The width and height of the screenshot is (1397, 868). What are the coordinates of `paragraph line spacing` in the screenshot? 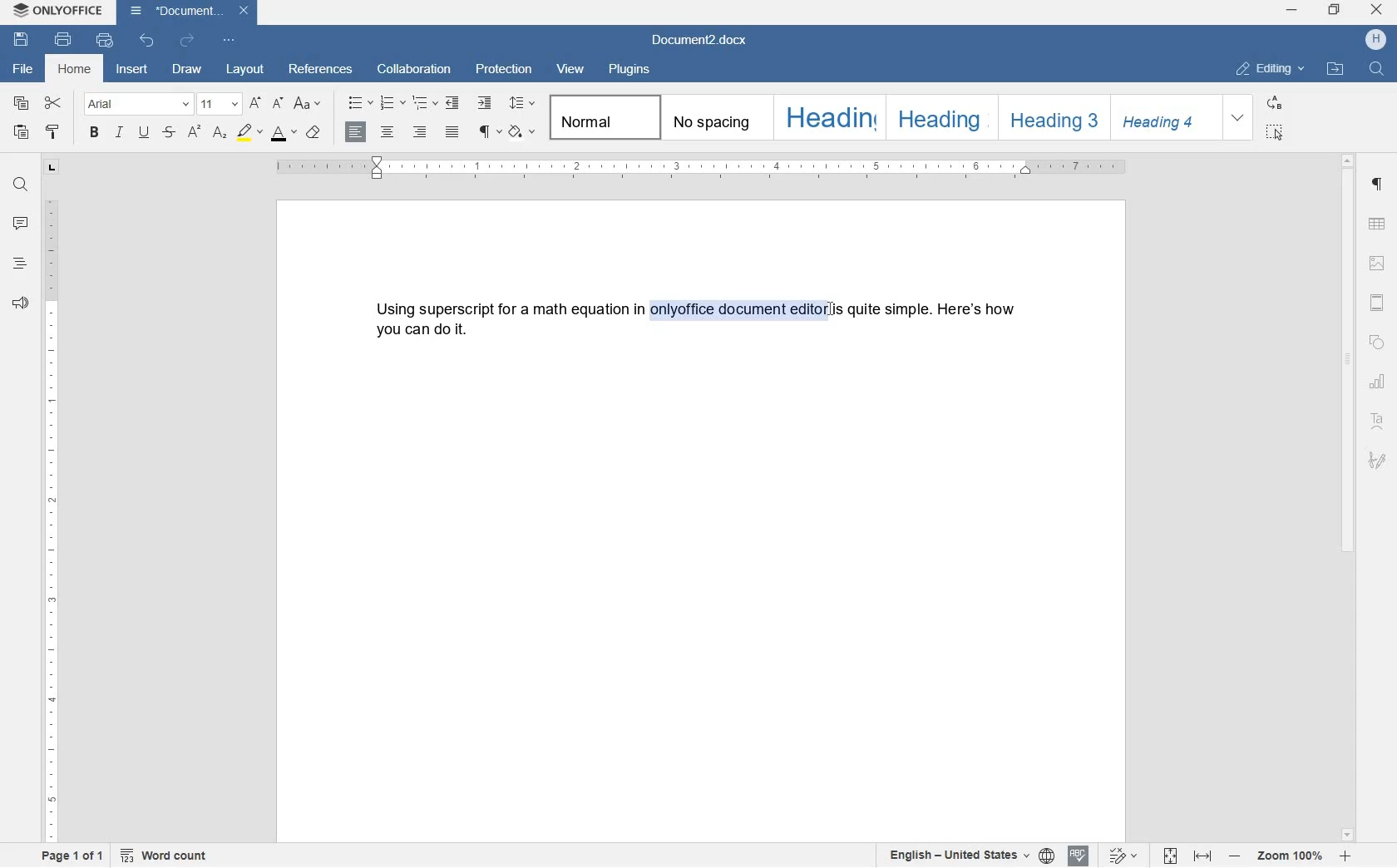 It's located at (521, 102).